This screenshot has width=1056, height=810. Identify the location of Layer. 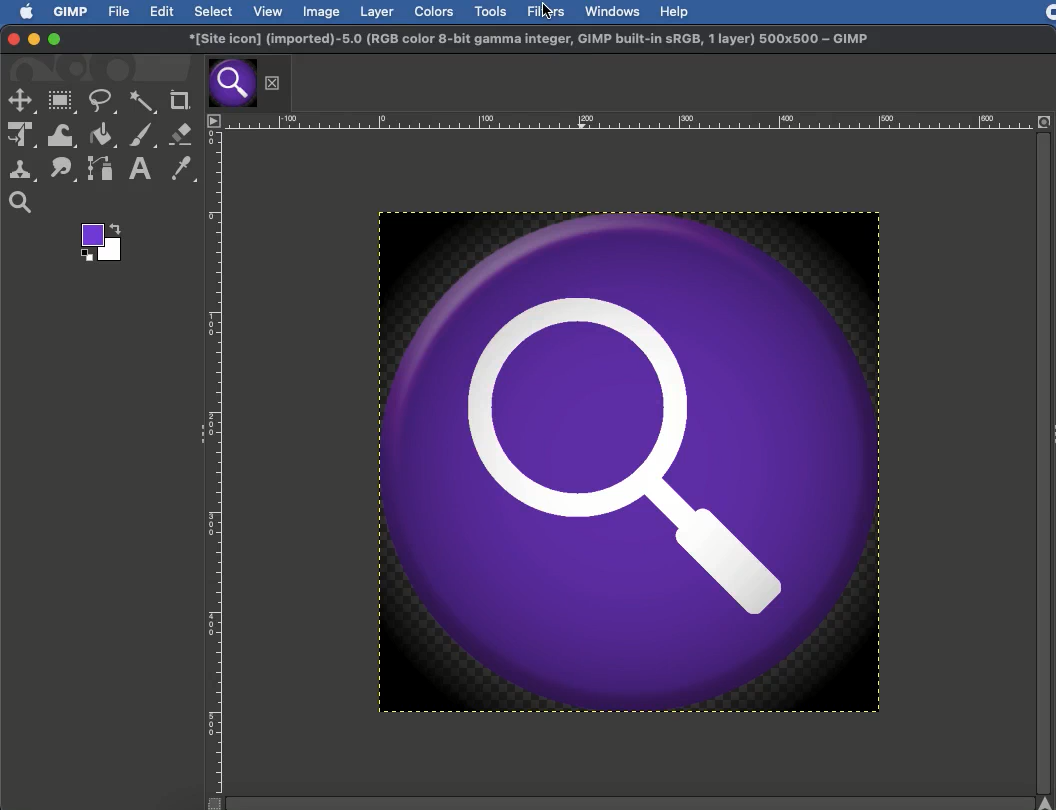
(374, 11).